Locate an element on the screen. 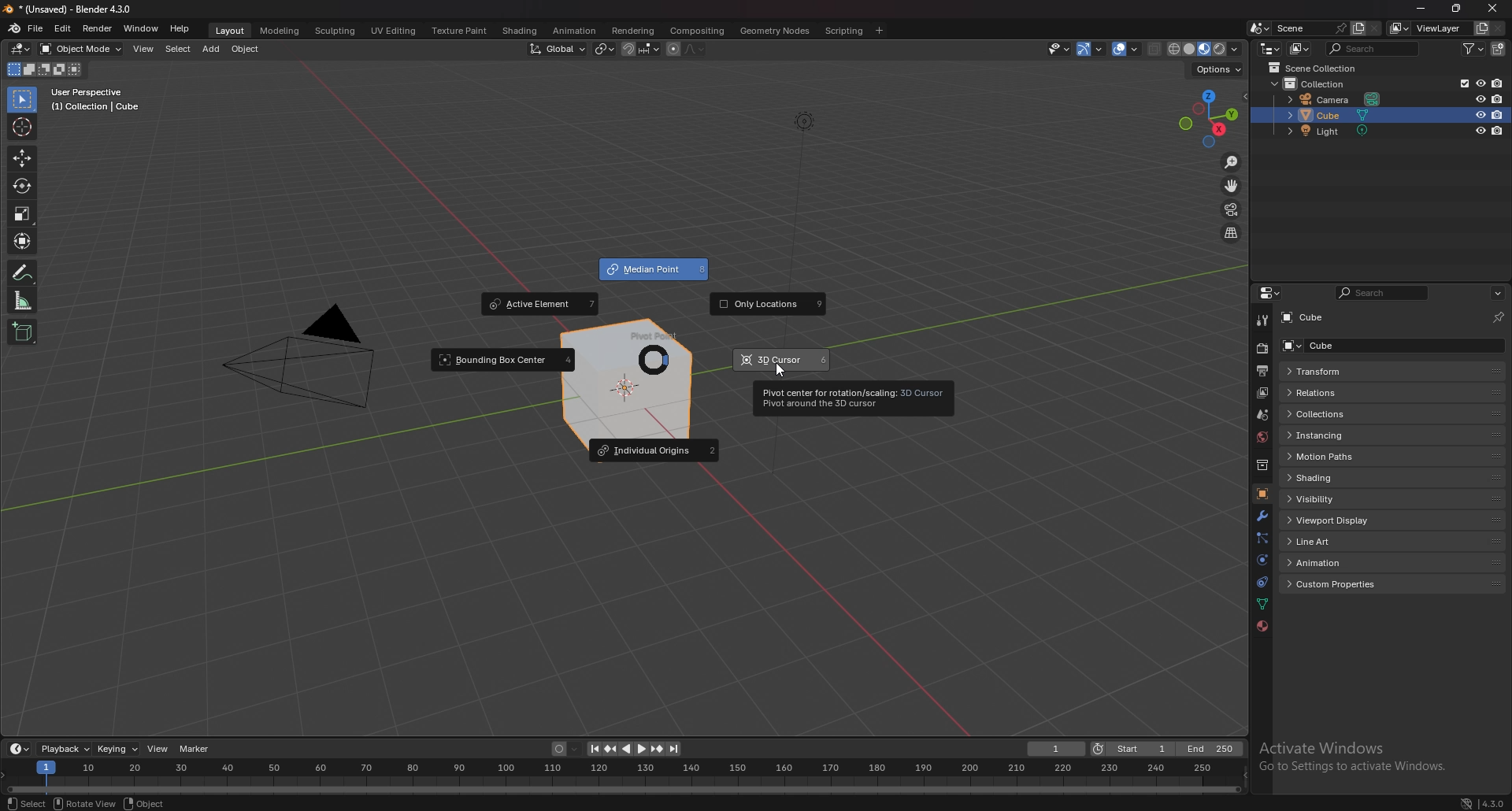 Image resolution: width=1512 pixels, height=811 pixels. search is located at coordinates (1381, 292).